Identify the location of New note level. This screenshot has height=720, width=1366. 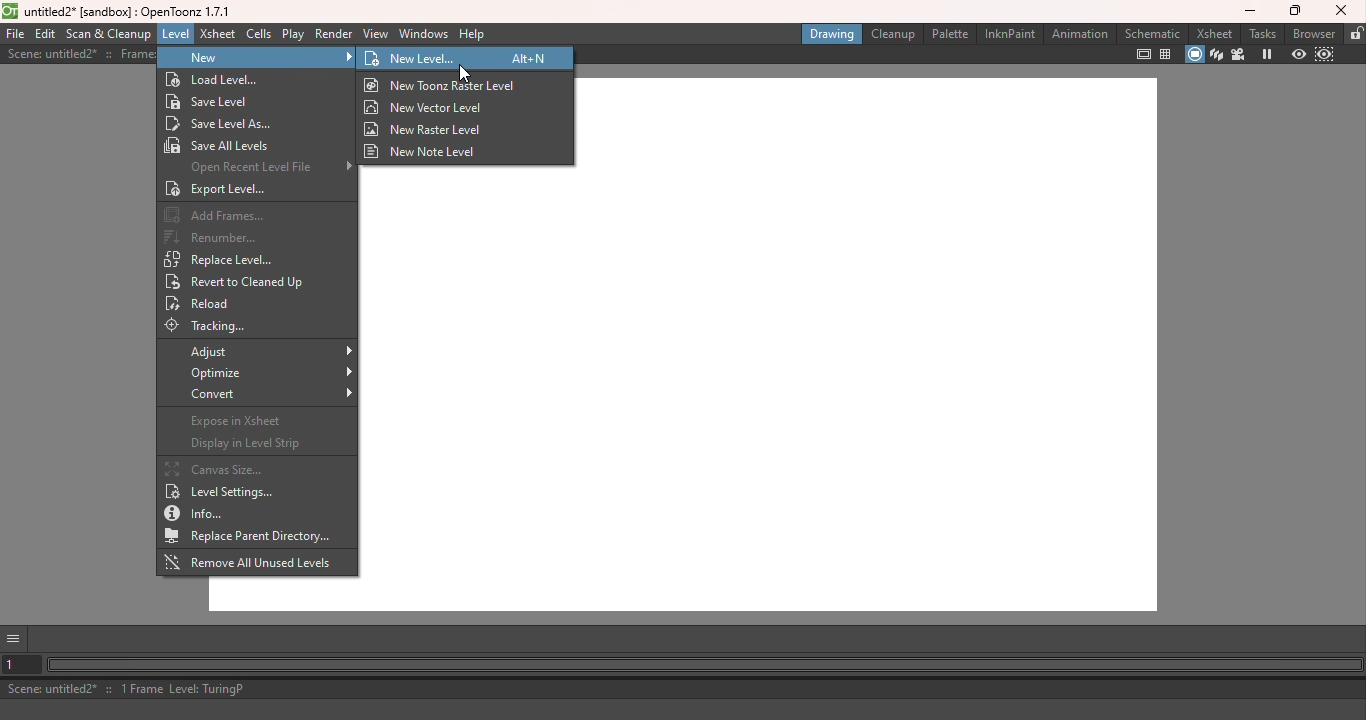
(429, 151).